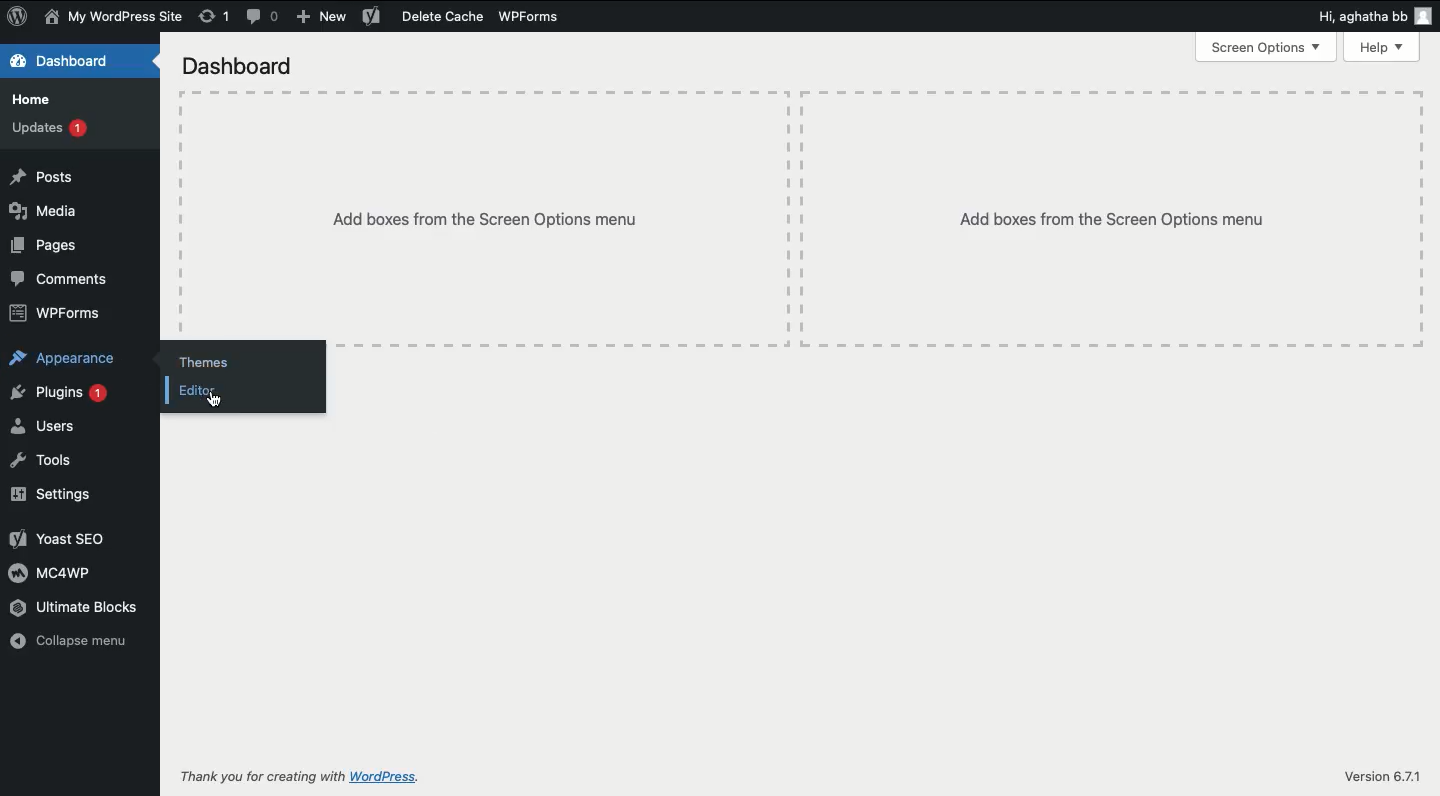  Describe the element at coordinates (58, 393) in the screenshot. I see `Plugins 1` at that location.